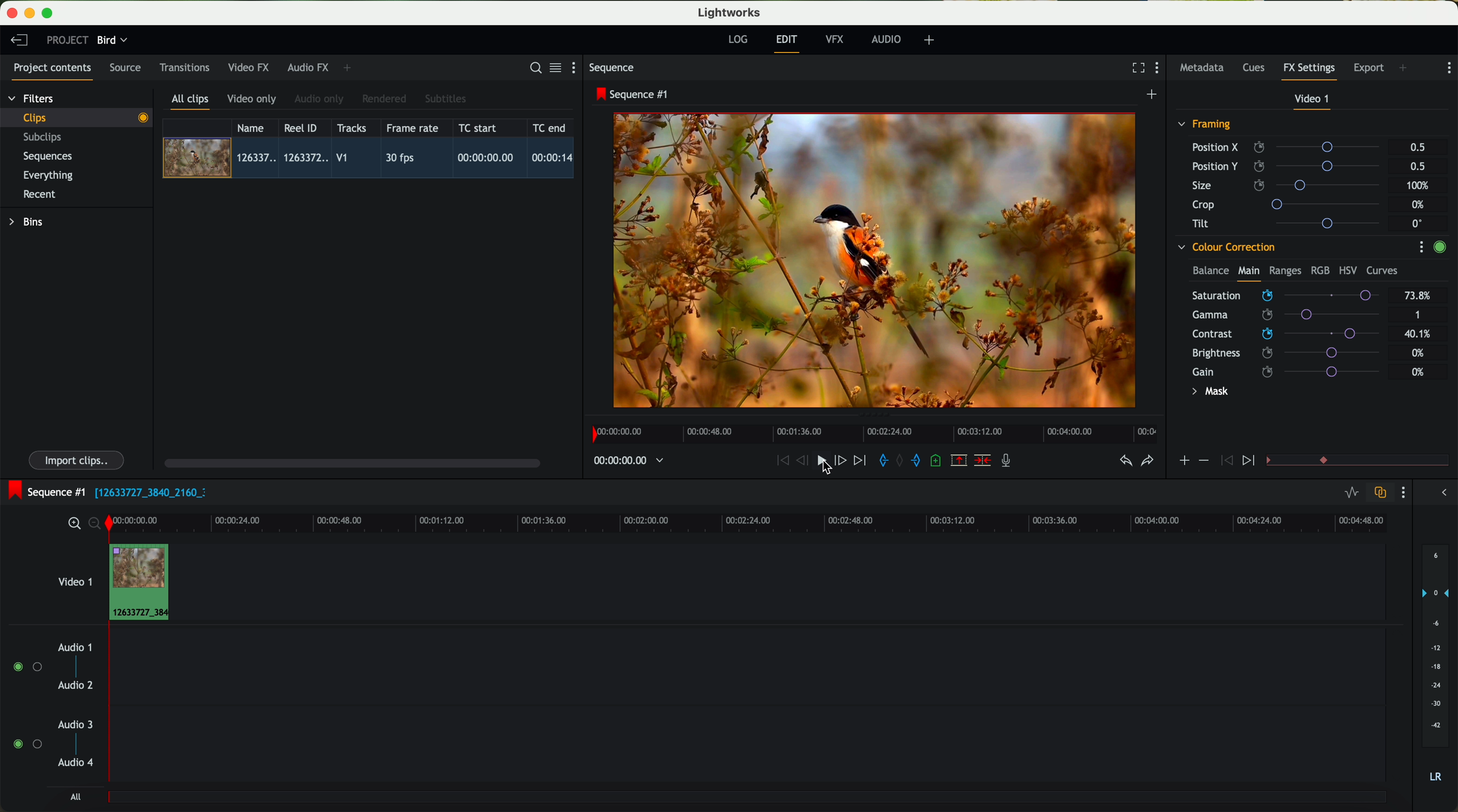 Image resolution: width=1458 pixels, height=812 pixels. I want to click on toggle audio levels editing, so click(1351, 494).